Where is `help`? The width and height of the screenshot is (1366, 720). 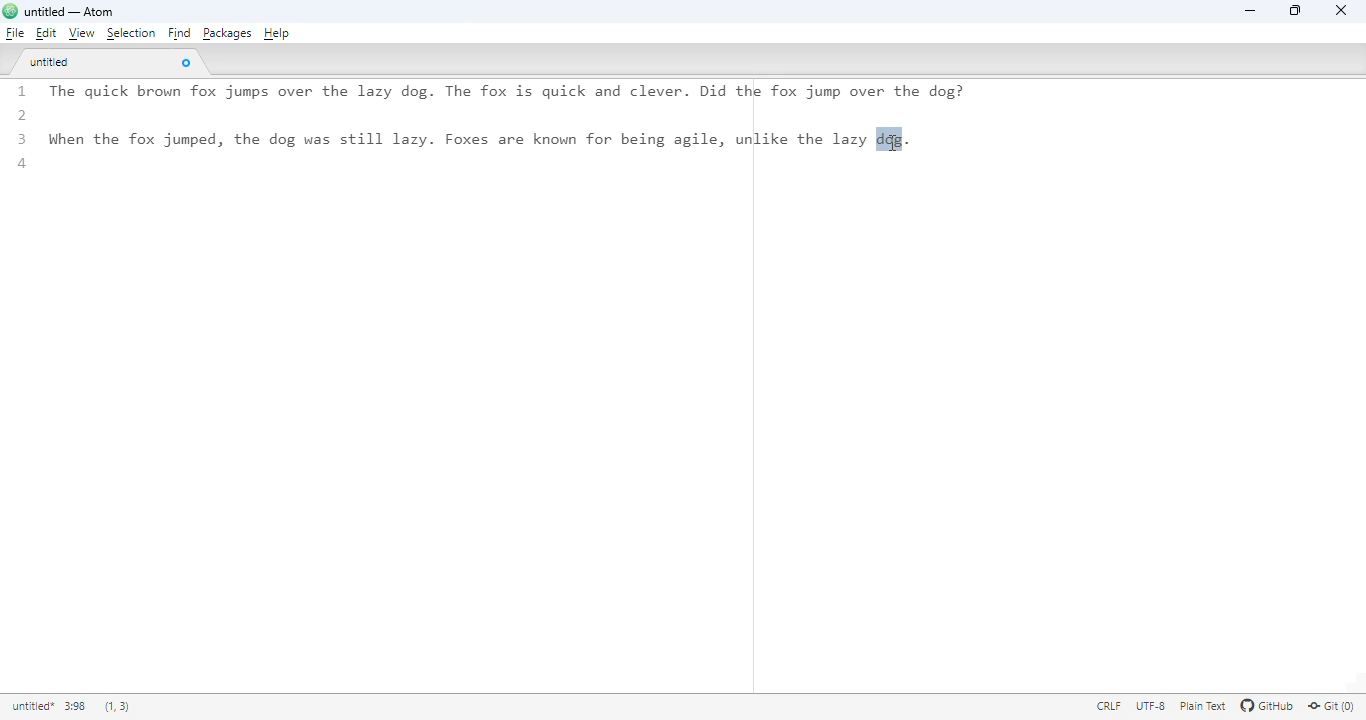
help is located at coordinates (277, 34).